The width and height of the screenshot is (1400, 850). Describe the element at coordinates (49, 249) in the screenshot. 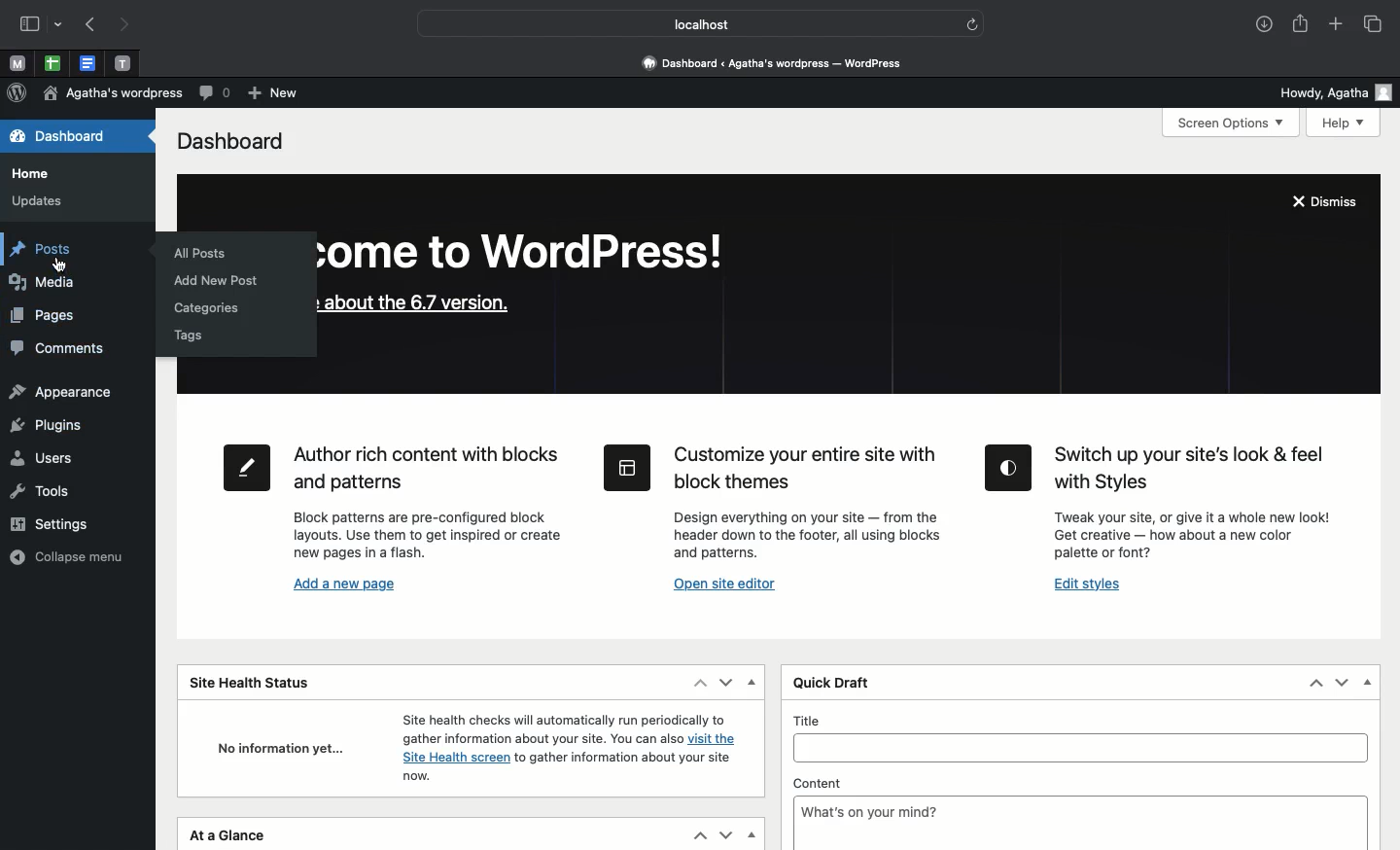

I see `Posts` at that location.